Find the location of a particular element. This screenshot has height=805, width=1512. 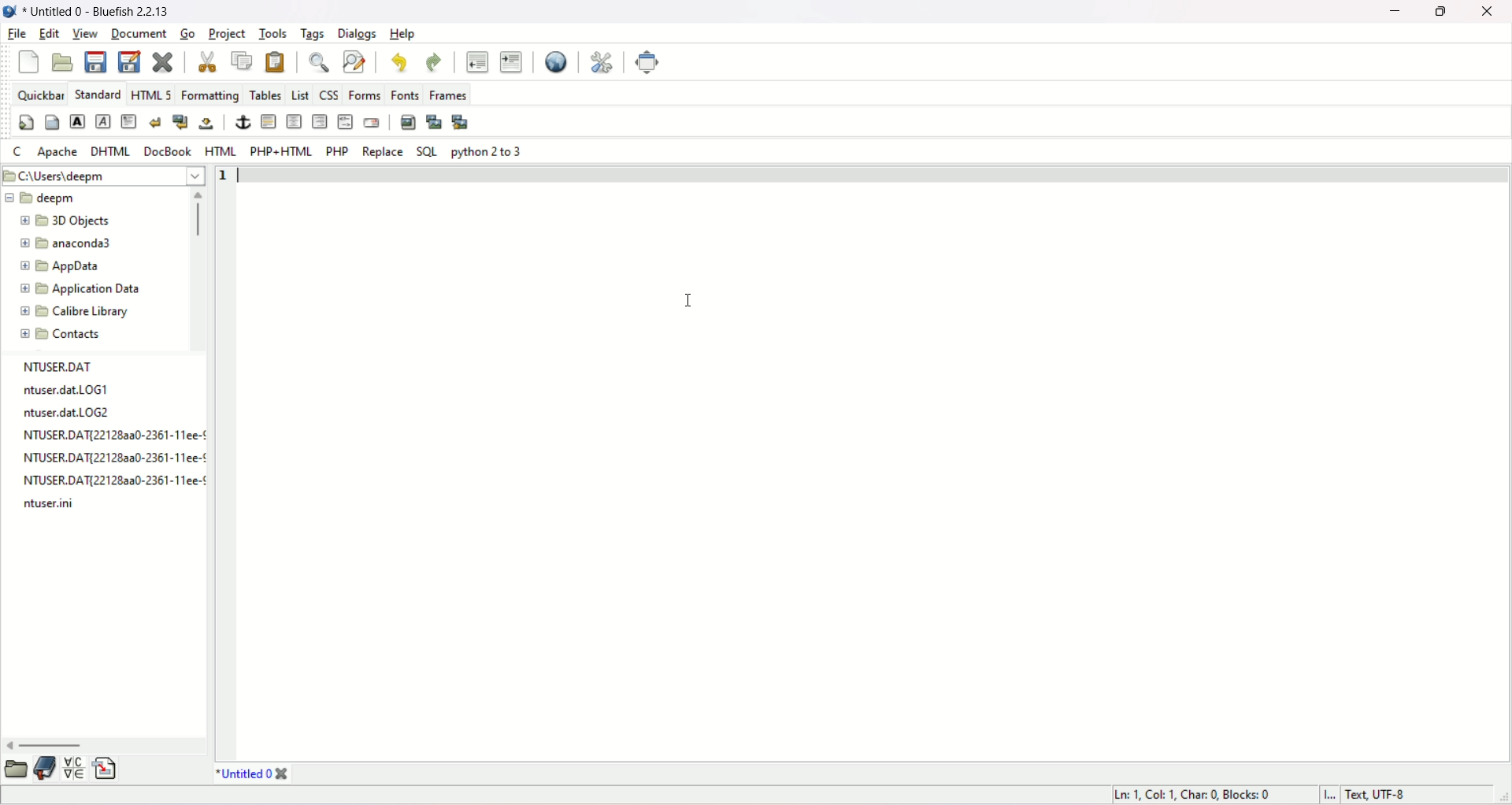

char map is located at coordinates (73, 767).